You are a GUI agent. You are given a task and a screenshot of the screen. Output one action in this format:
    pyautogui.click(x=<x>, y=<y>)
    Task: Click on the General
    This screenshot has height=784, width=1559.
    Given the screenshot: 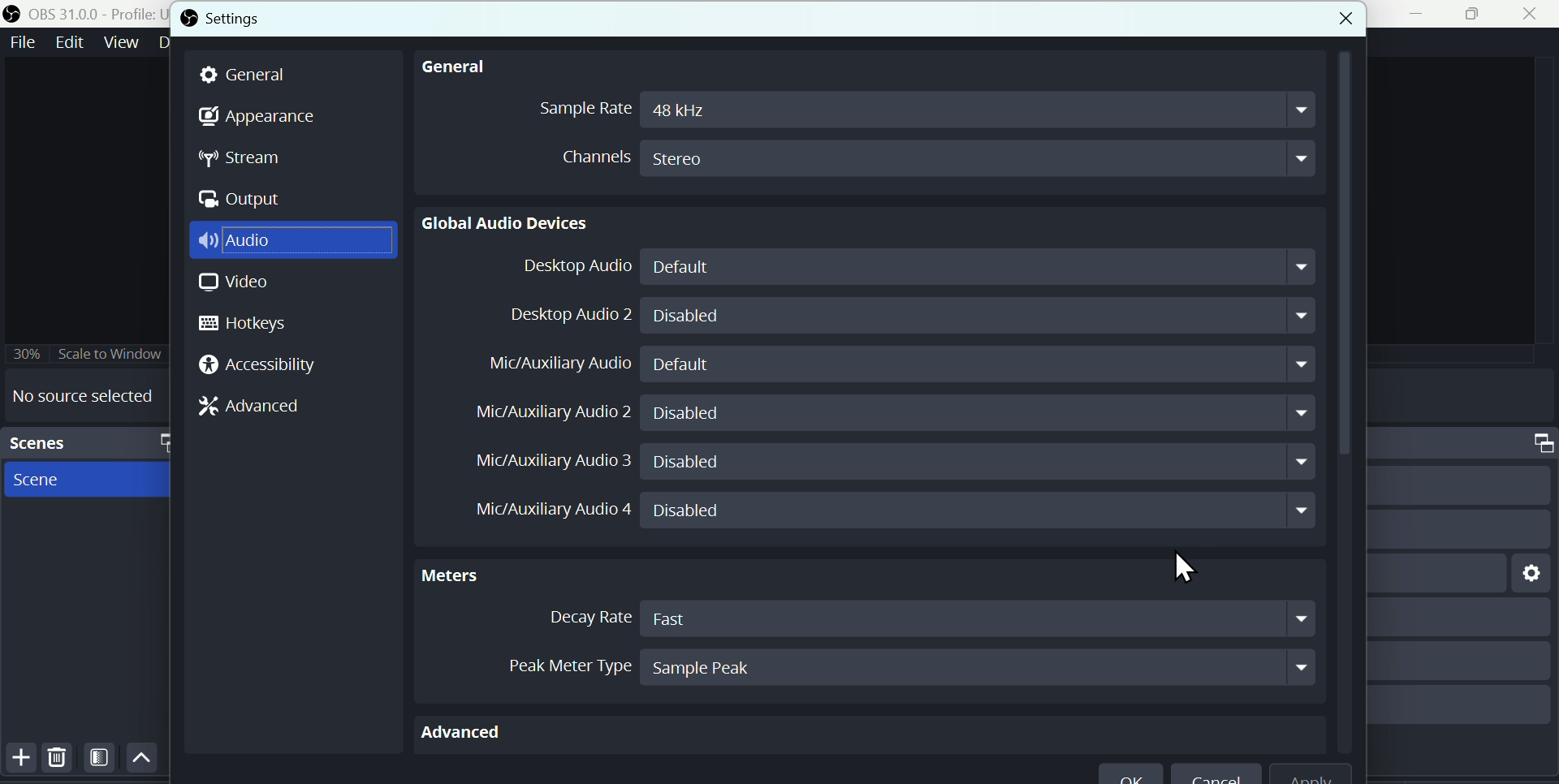 What is the action you would take?
    pyautogui.click(x=455, y=67)
    